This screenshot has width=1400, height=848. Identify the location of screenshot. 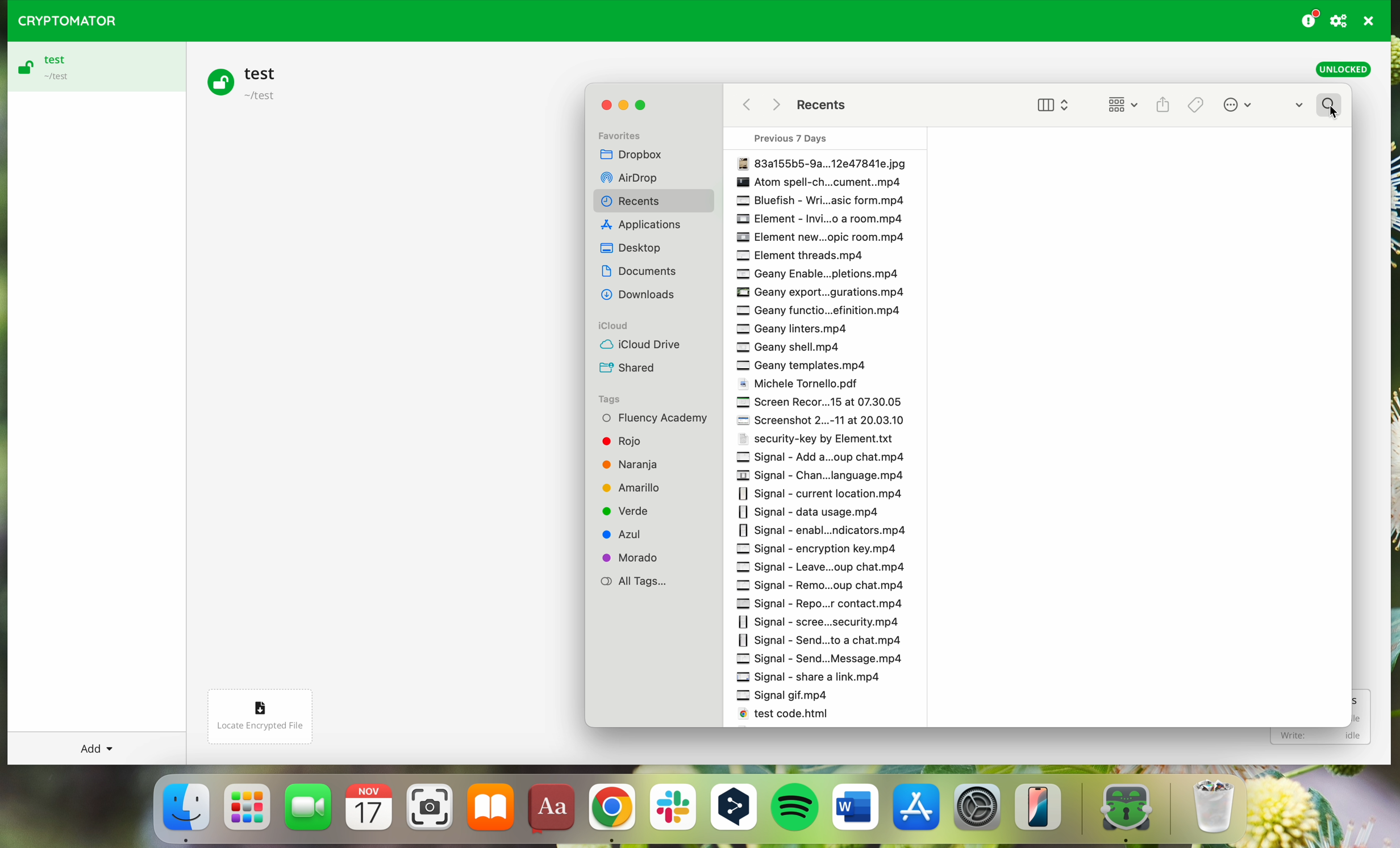
(430, 812).